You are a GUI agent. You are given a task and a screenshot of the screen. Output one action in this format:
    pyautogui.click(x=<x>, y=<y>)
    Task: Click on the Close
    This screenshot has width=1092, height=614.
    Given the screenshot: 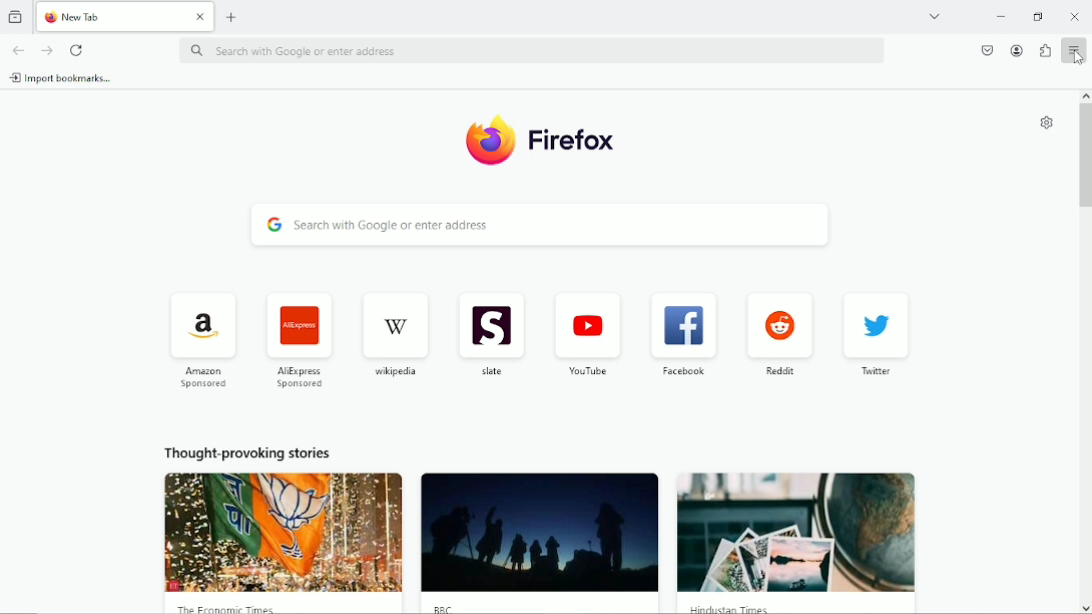 What is the action you would take?
    pyautogui.click(x=1075, y=15)
    